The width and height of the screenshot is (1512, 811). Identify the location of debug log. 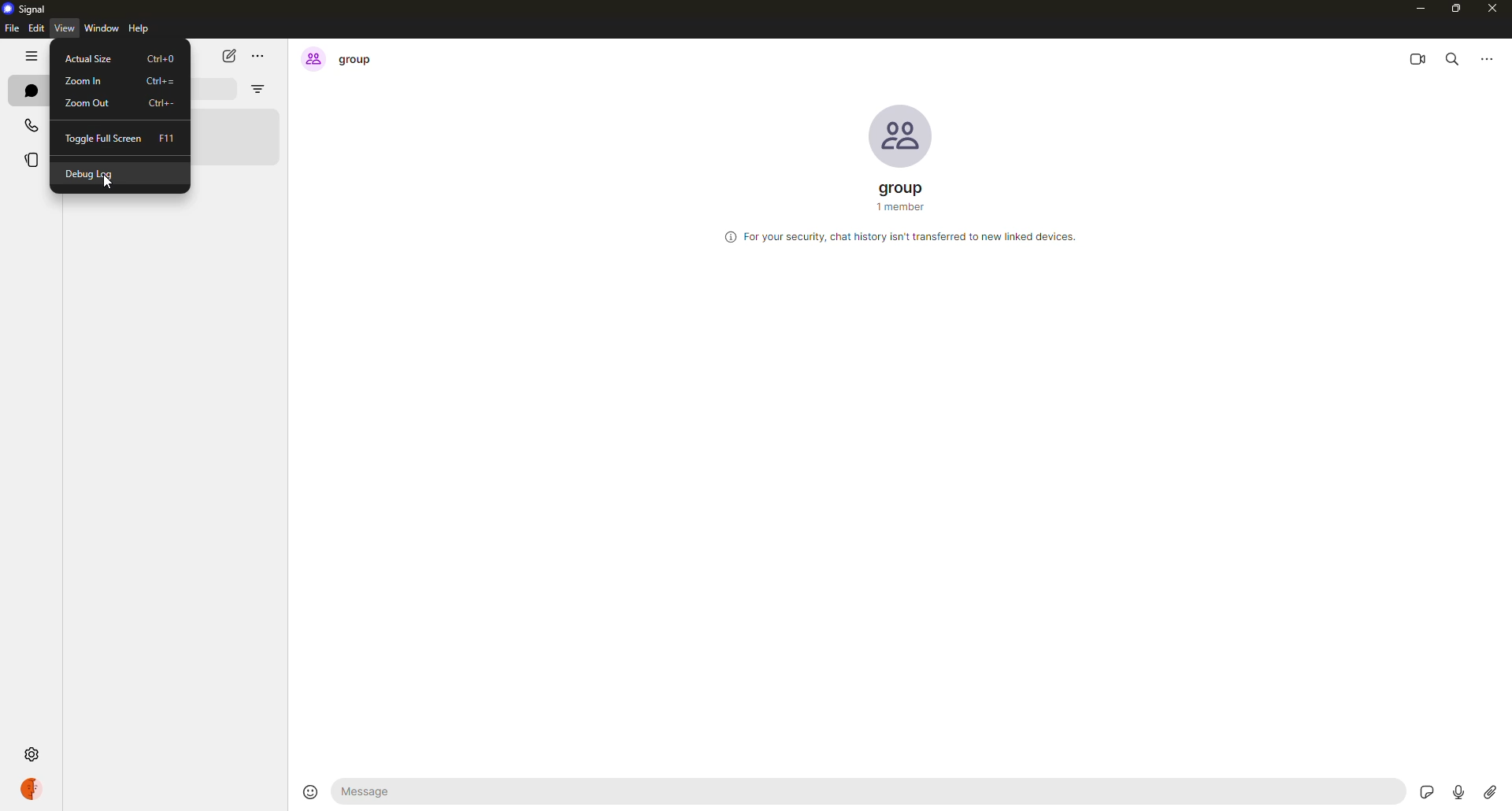
(92, 176).